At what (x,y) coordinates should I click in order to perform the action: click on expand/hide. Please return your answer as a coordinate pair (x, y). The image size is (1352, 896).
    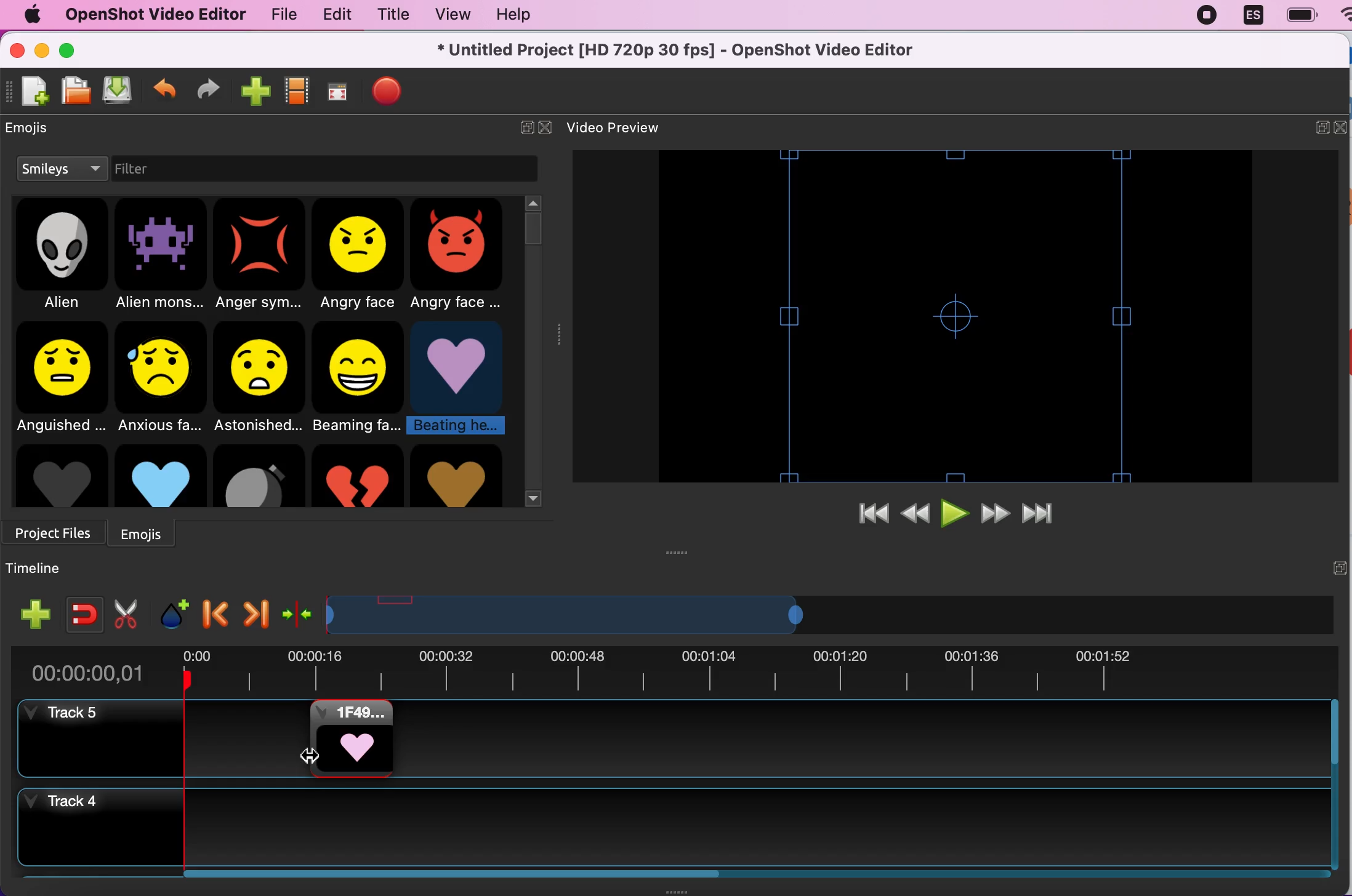
    Looking at the image, I should click on (1322, 126).